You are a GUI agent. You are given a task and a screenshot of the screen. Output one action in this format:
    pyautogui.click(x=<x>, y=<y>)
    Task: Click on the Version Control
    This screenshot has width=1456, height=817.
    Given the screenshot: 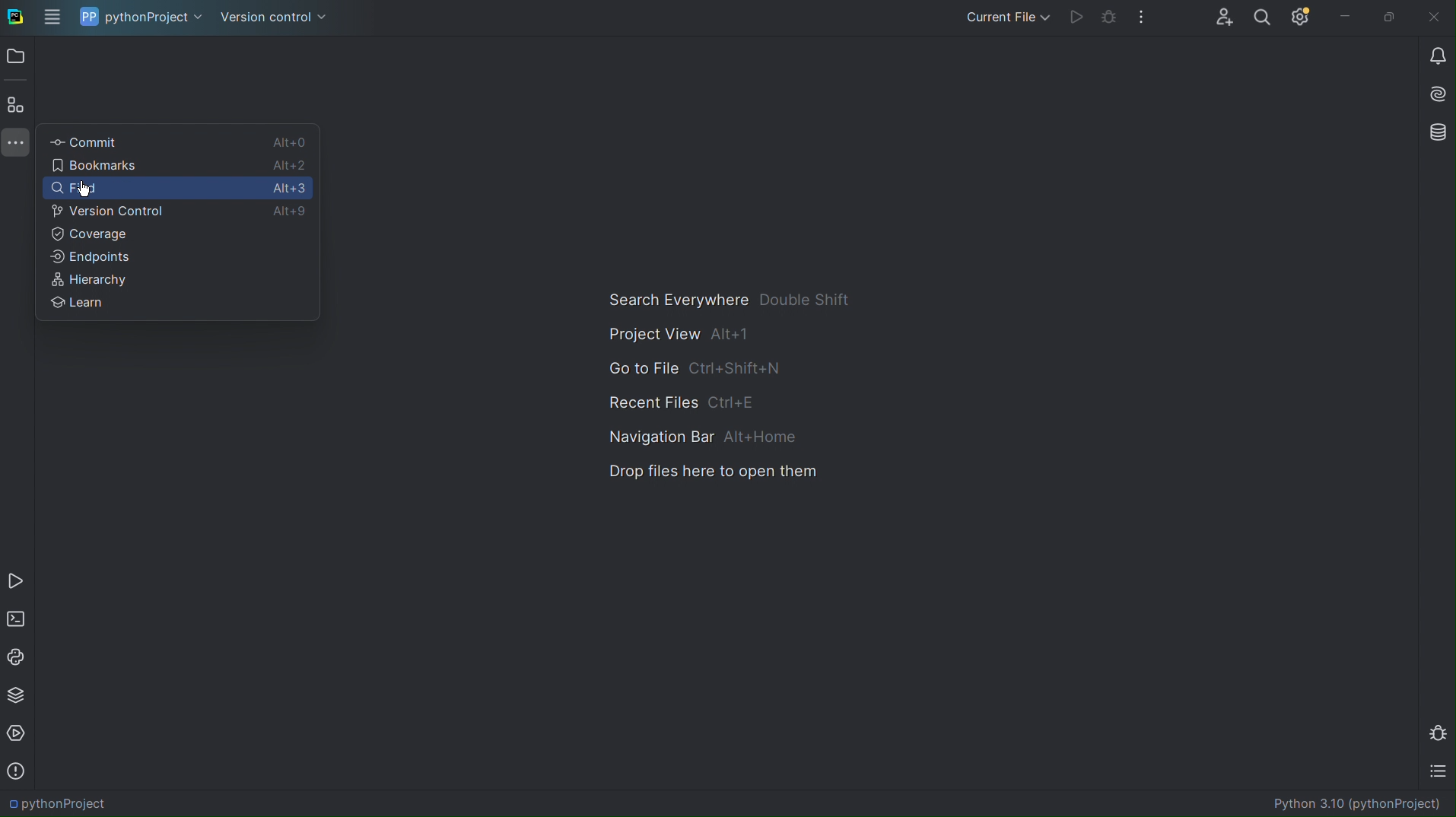 What is the action you would take?
    pyautogui.click(x=103, y=211)
    